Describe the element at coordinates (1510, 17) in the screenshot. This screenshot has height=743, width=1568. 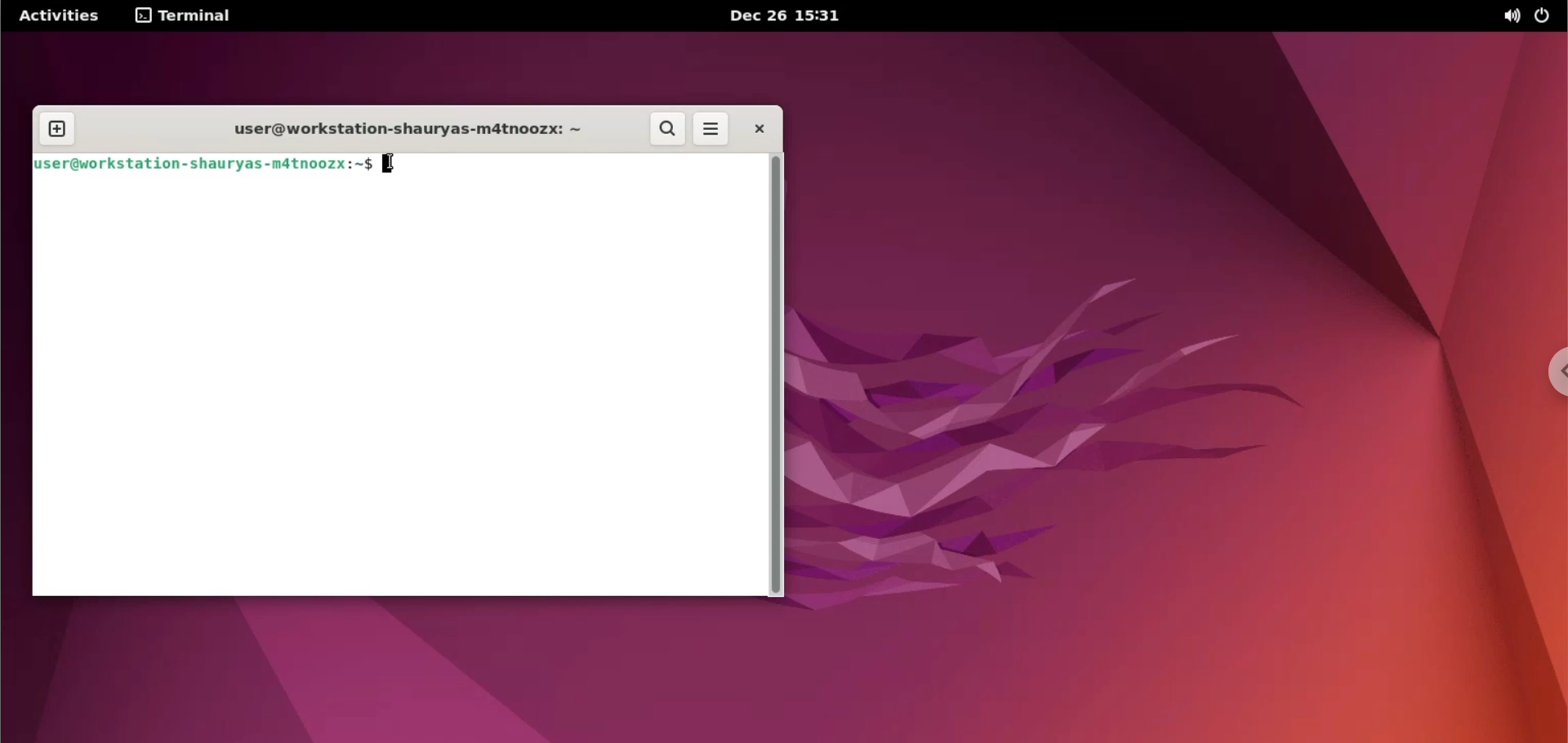
I see `sound options` at that location.